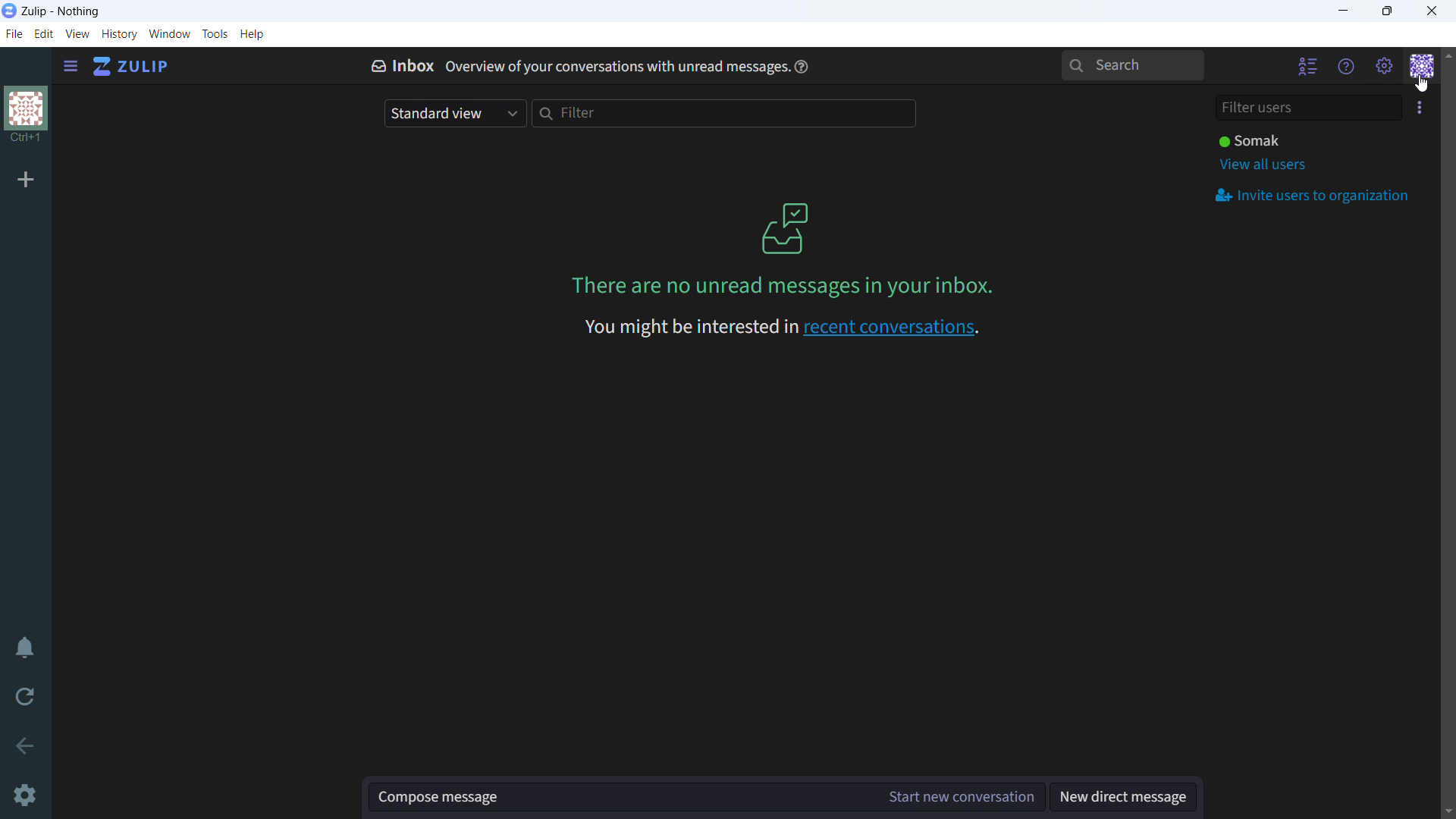 This screenshot has width=1456, height=819. I want to click on view all users, so click(1263, 164).